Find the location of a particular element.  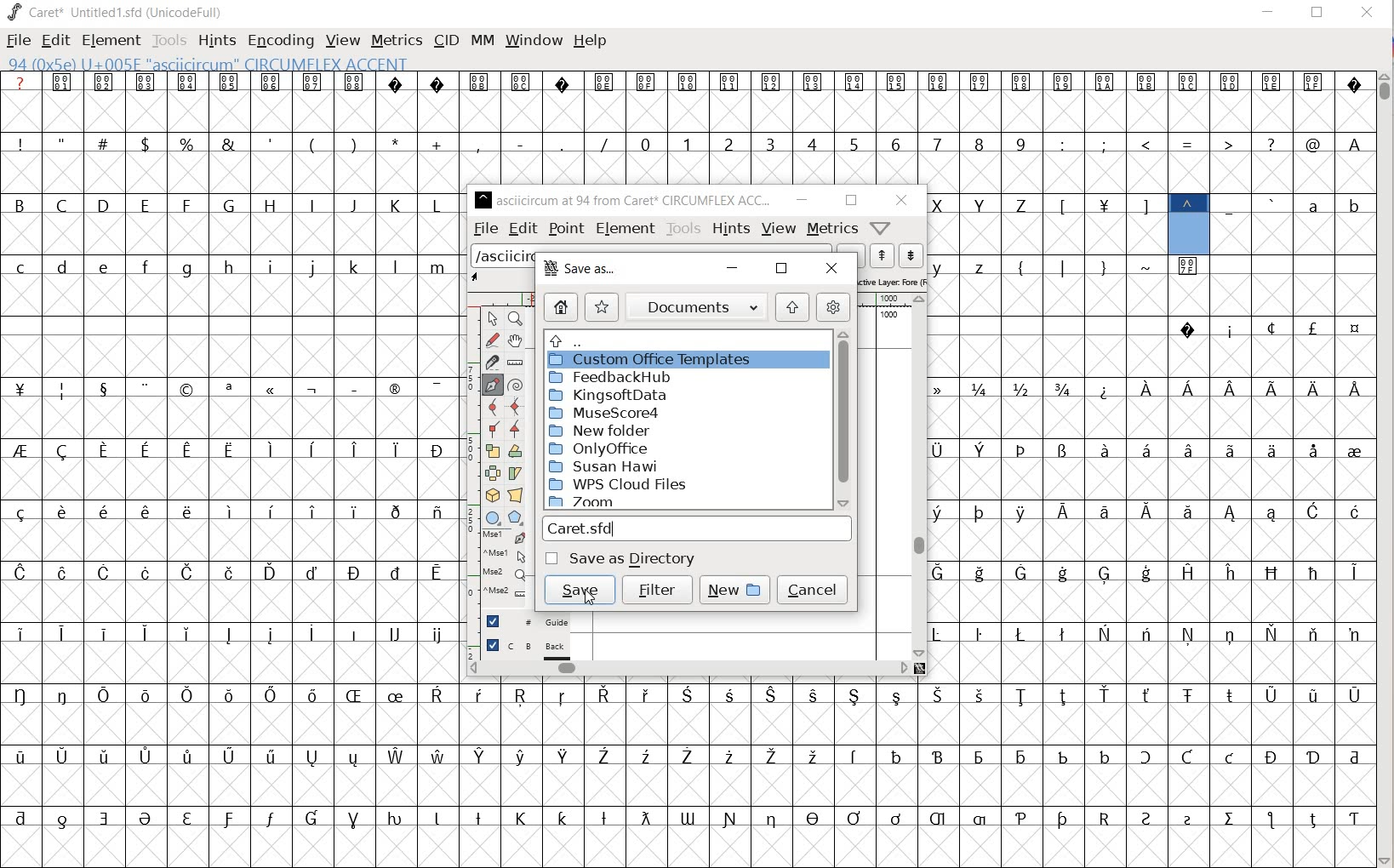

tools is located at coordinates (684, 228).